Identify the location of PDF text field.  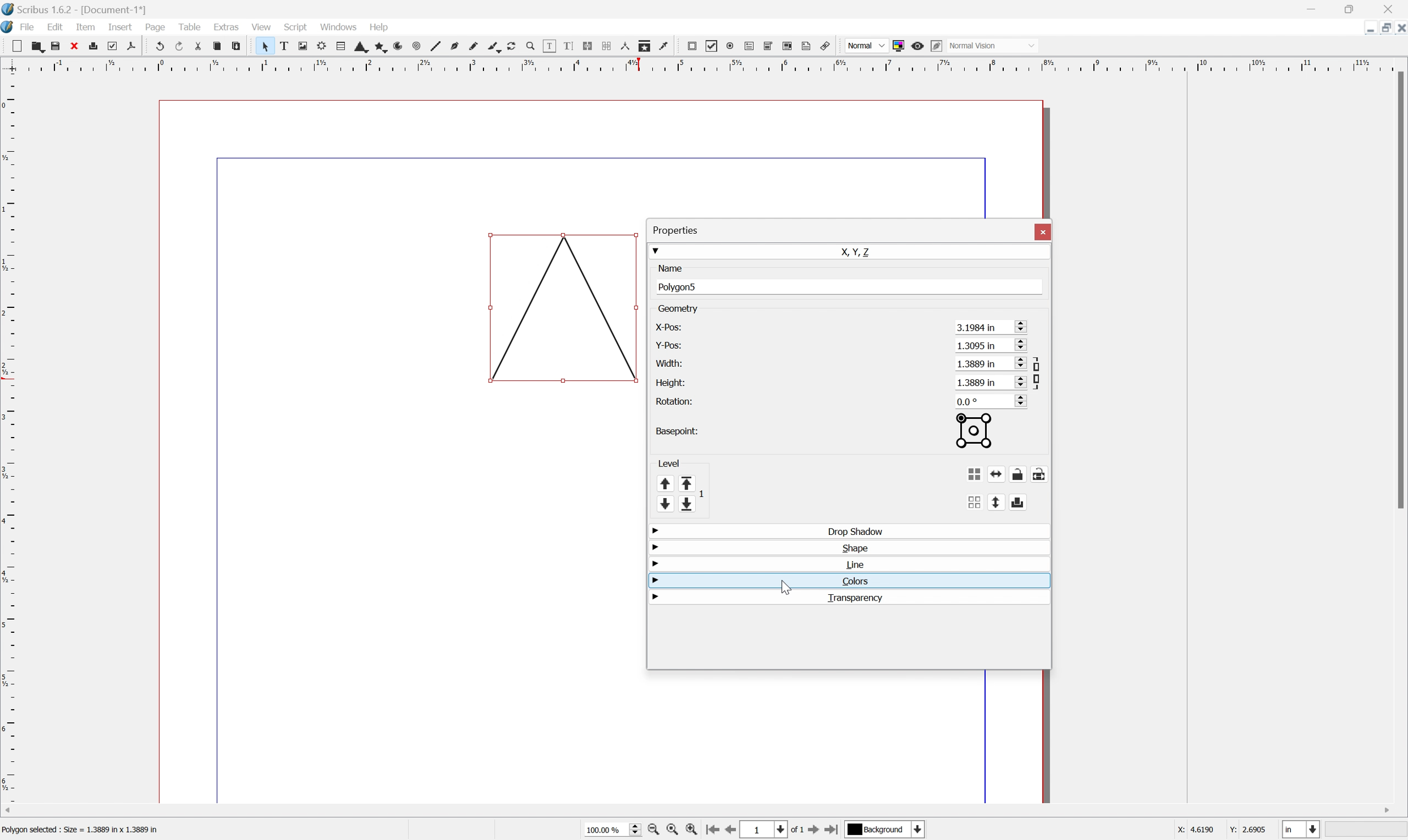
(747, 46).